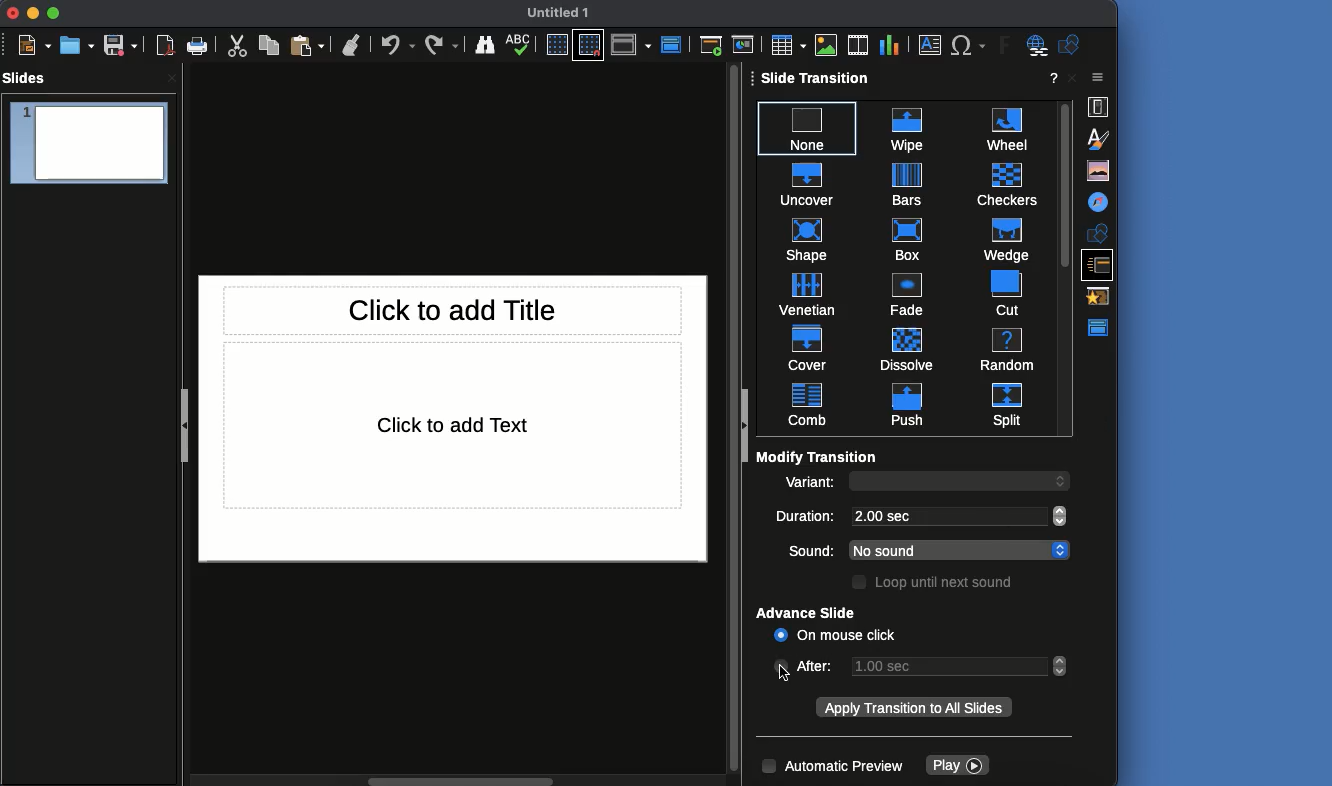 This screenshot has width=1332, height=786. What do you see at coordinates (1000, 127) in the screenshot?
I see `wheel` at bounding box center [1000, 127].